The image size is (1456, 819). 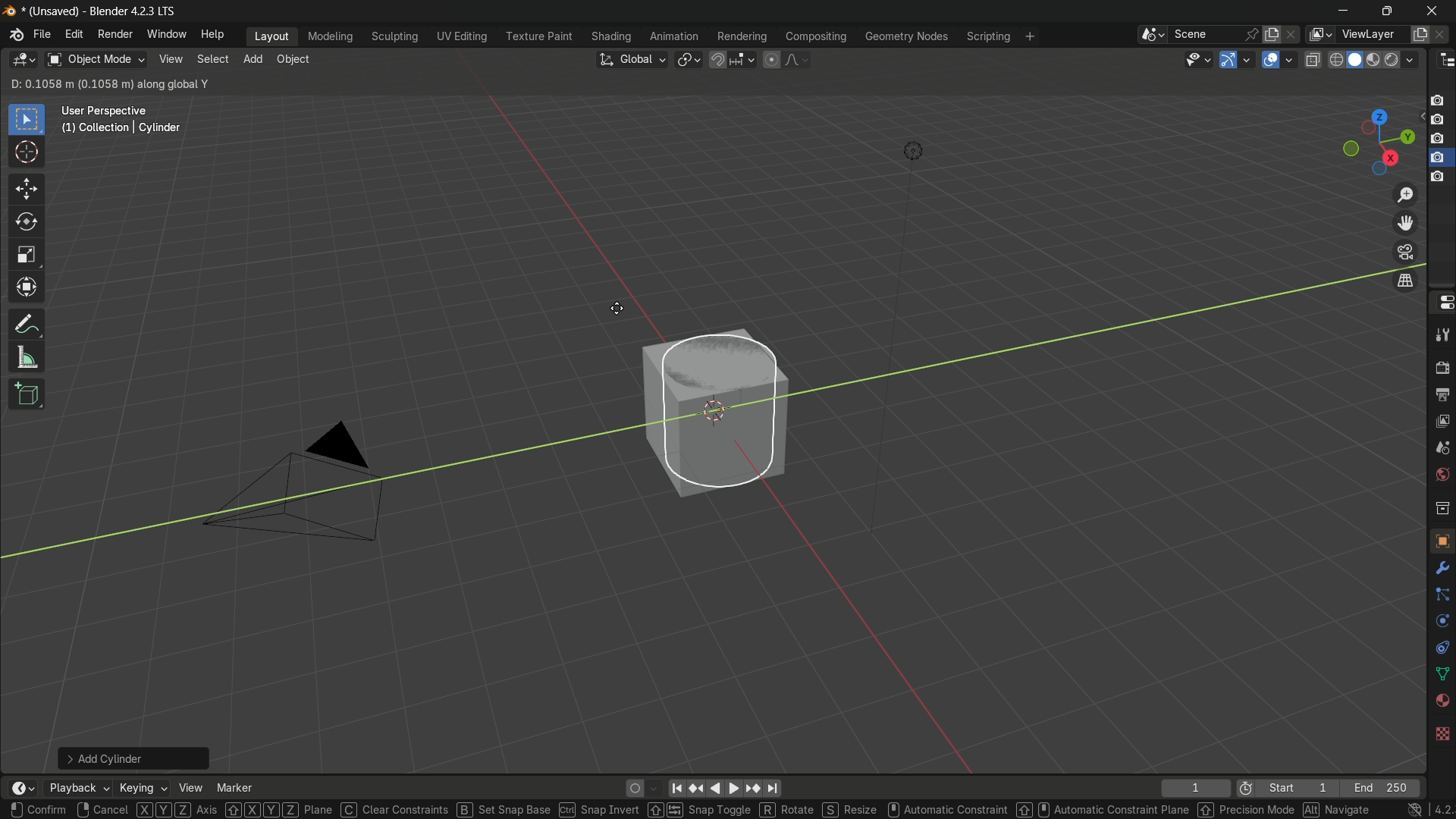 What do you see at coordinates (699, 811) in the screenshot?
I see `snap toggle` at bounding box center [699, 811].